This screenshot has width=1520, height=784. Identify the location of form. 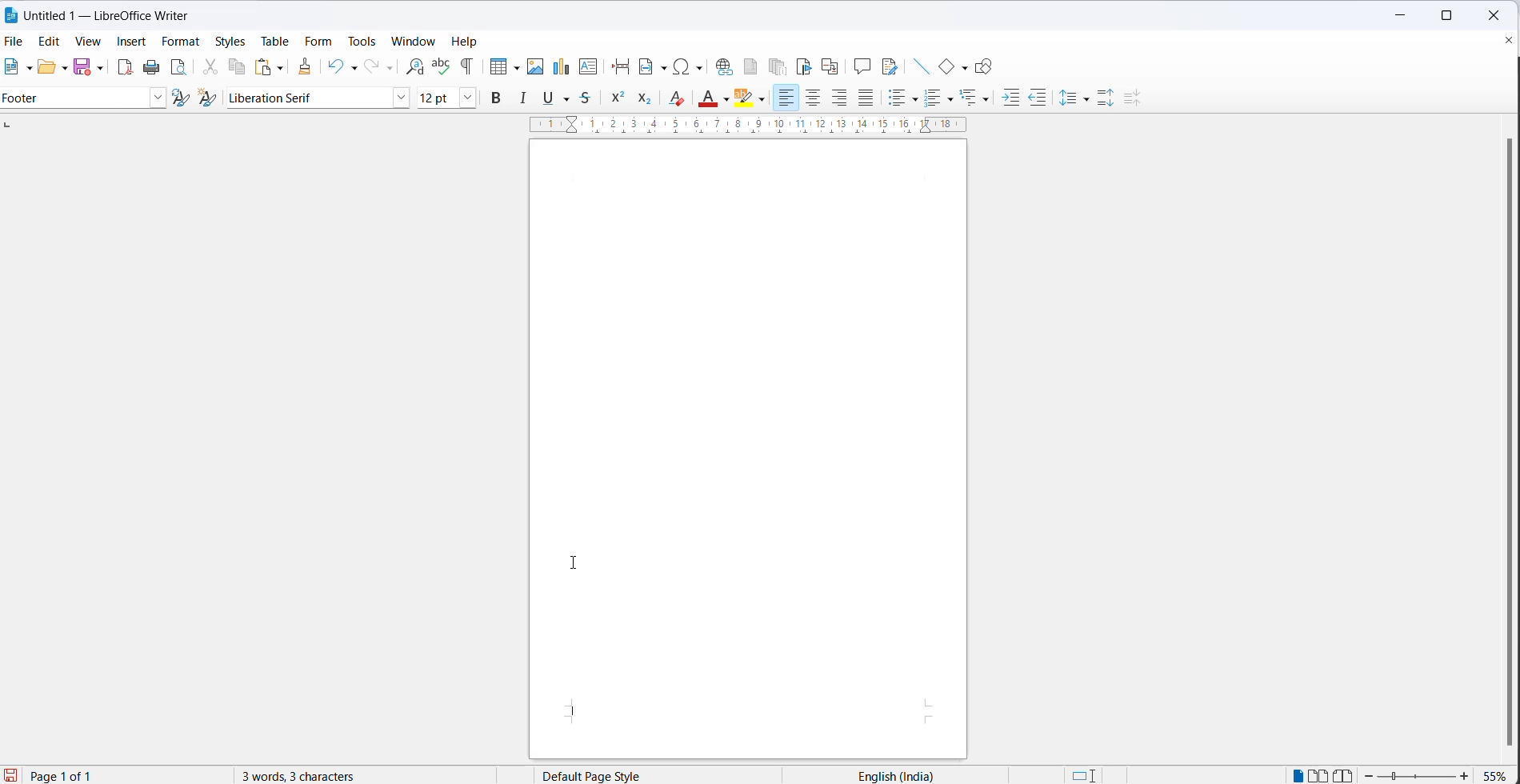
(318, 42).